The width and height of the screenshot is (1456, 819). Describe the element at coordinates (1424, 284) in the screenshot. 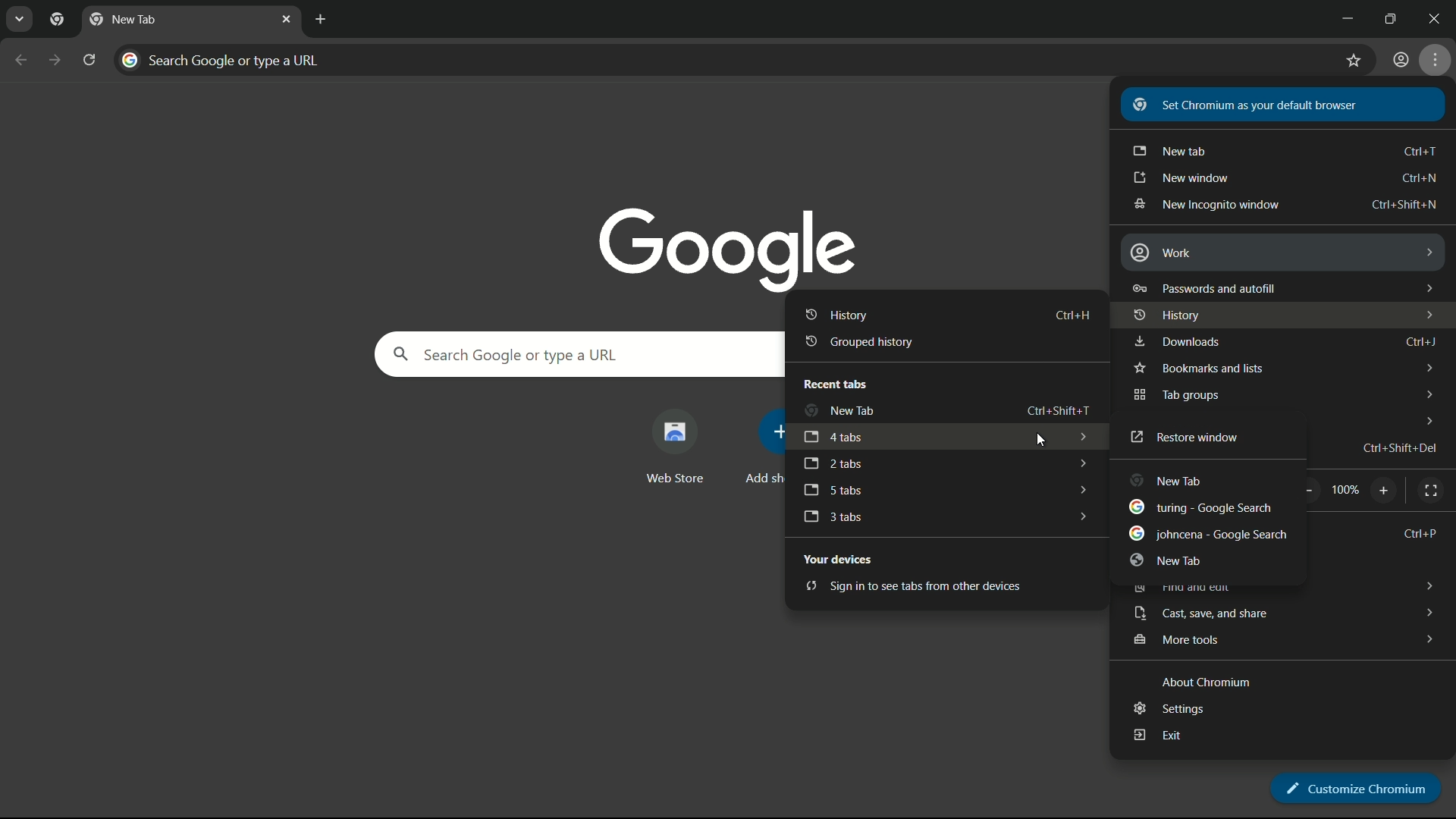

I see `dropdown arrows` at that location.